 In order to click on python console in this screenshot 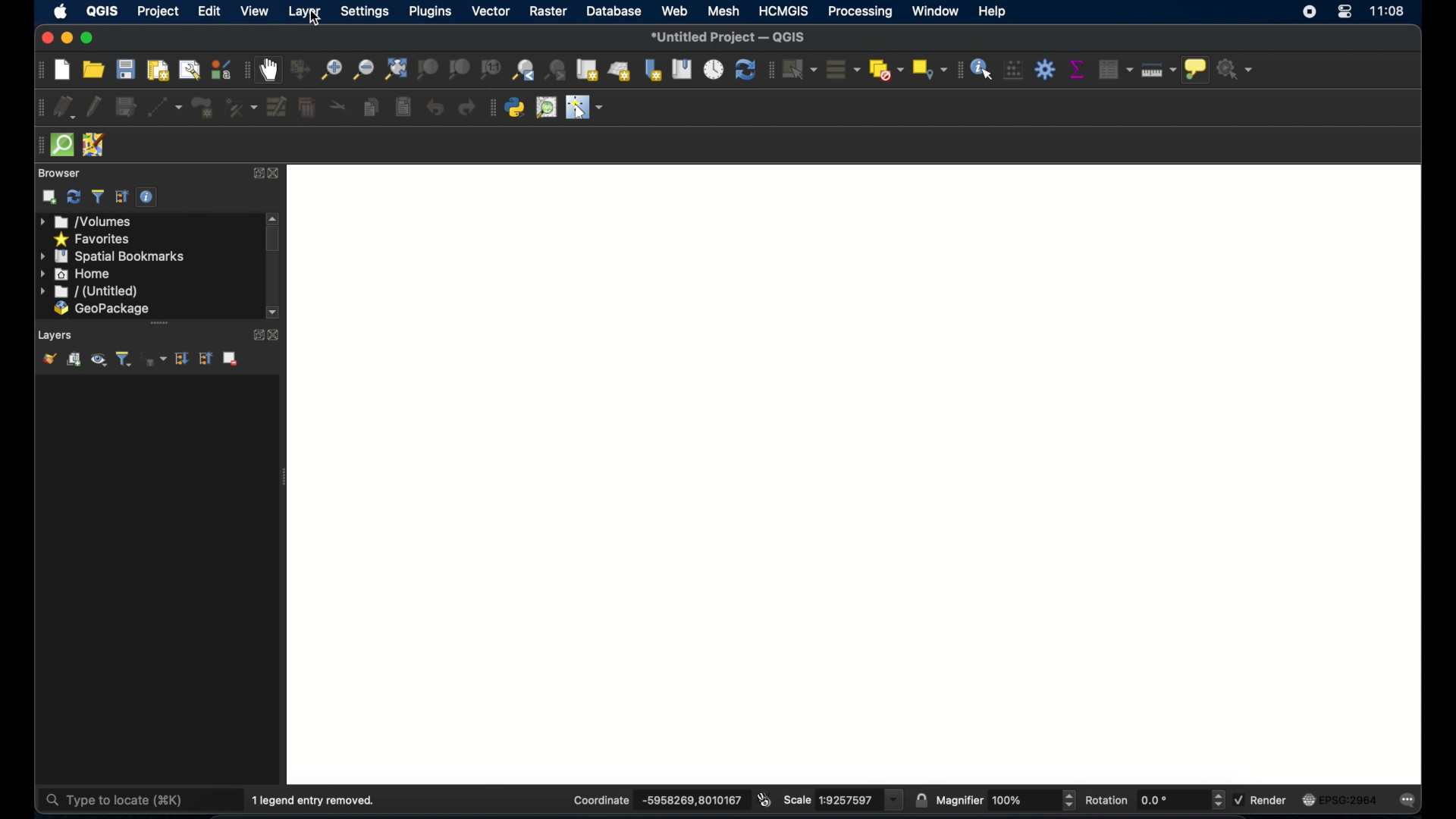, I will do `click(515, 108)`.